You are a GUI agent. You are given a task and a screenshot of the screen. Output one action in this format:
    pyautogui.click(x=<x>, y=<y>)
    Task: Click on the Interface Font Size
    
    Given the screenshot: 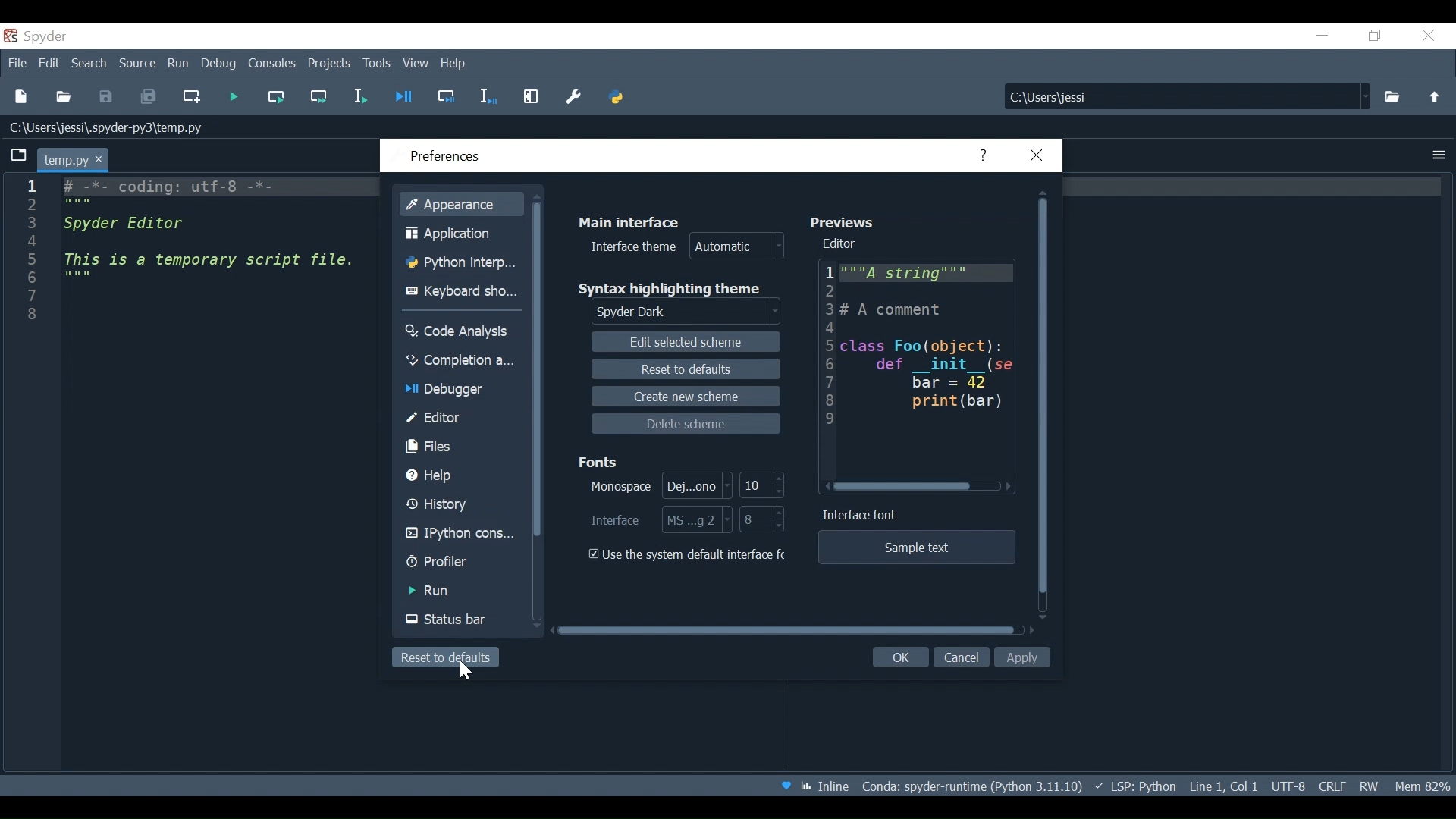 What is the action you would take?
    pyautogui.click(x=762, y=519)
    